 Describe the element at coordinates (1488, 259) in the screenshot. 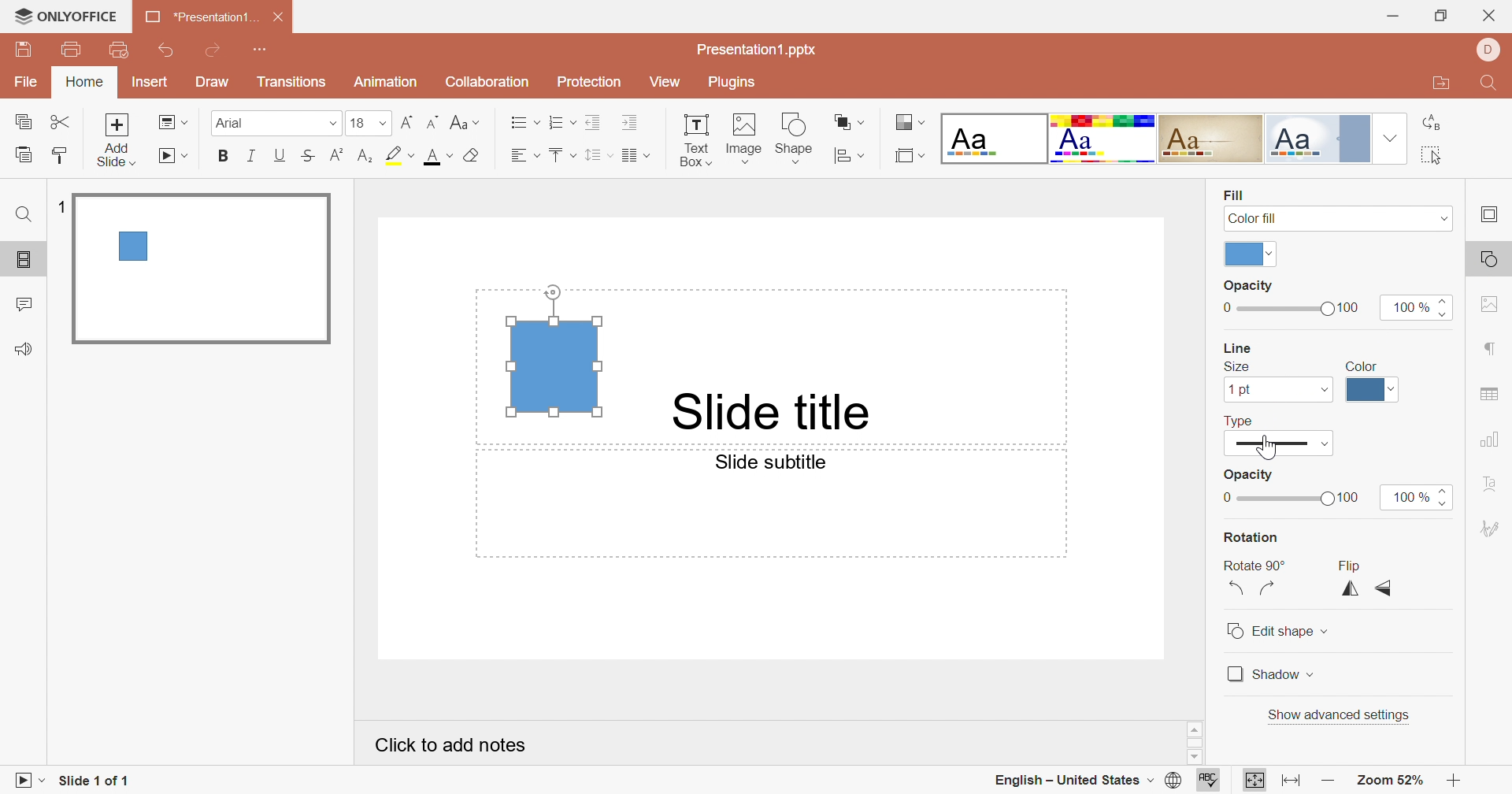

I see `Shape settings` at that location.